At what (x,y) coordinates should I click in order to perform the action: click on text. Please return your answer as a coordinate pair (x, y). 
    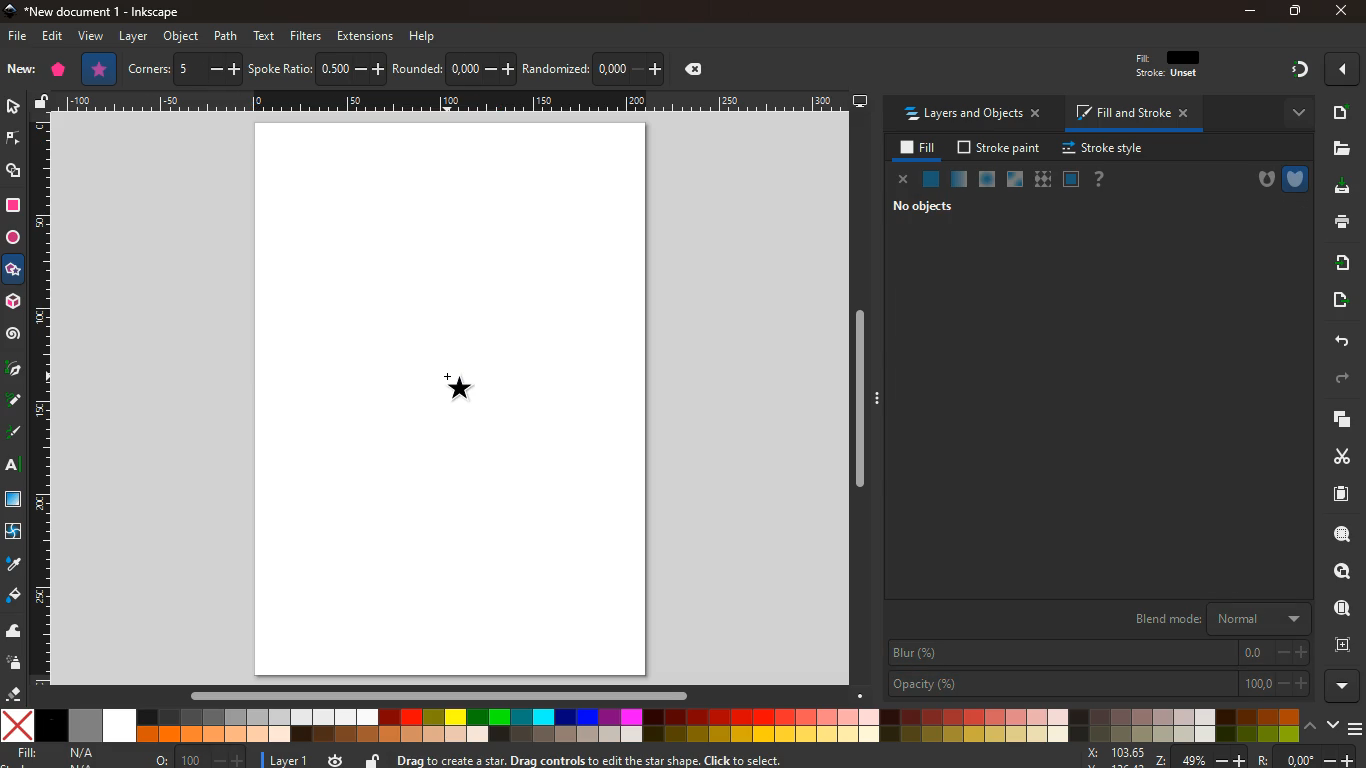
    Looking at the image, I should click on (14, 464).